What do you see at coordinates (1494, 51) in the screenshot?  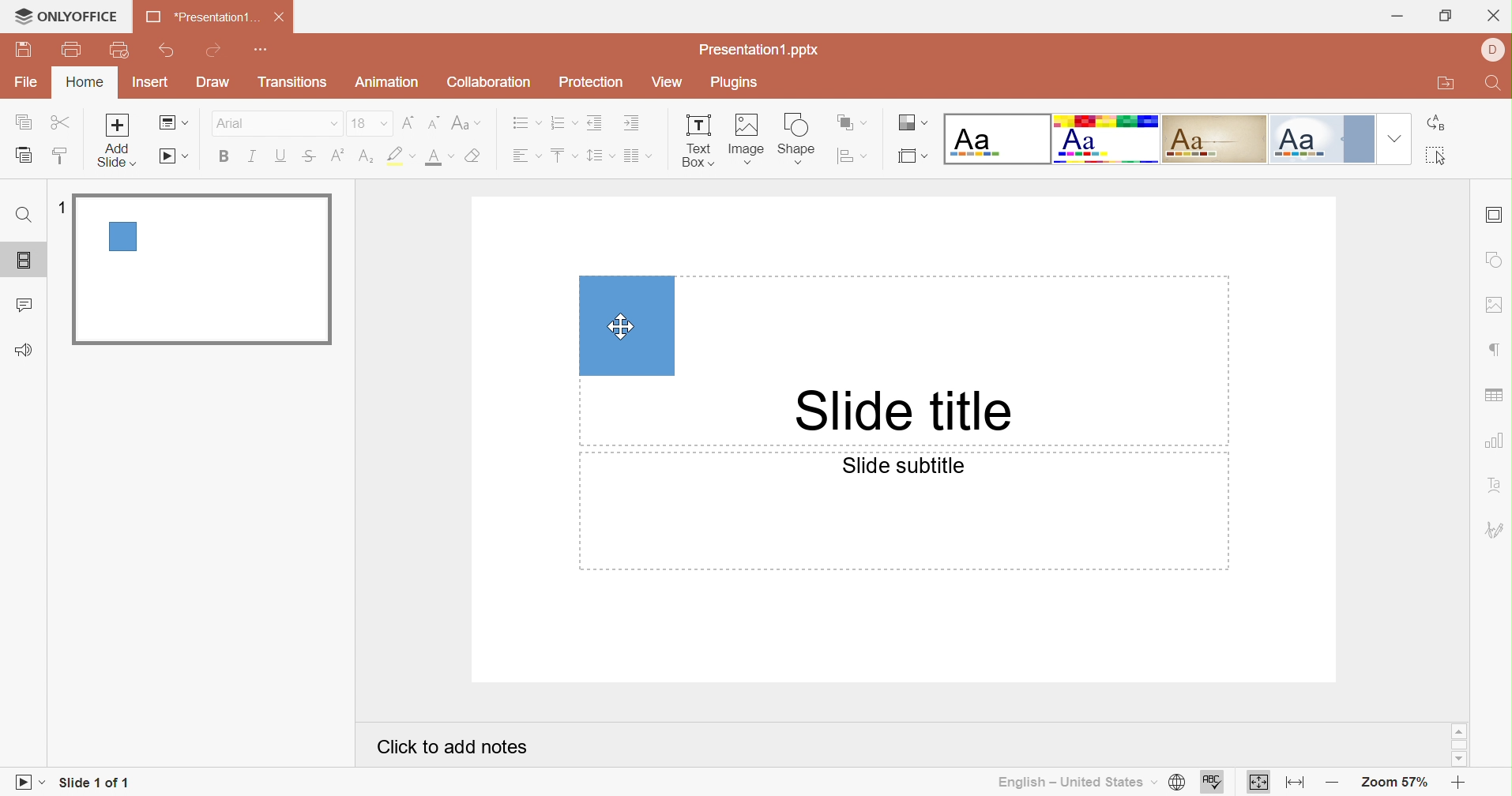 I see `DELL` at bounding box center [1494, 51].